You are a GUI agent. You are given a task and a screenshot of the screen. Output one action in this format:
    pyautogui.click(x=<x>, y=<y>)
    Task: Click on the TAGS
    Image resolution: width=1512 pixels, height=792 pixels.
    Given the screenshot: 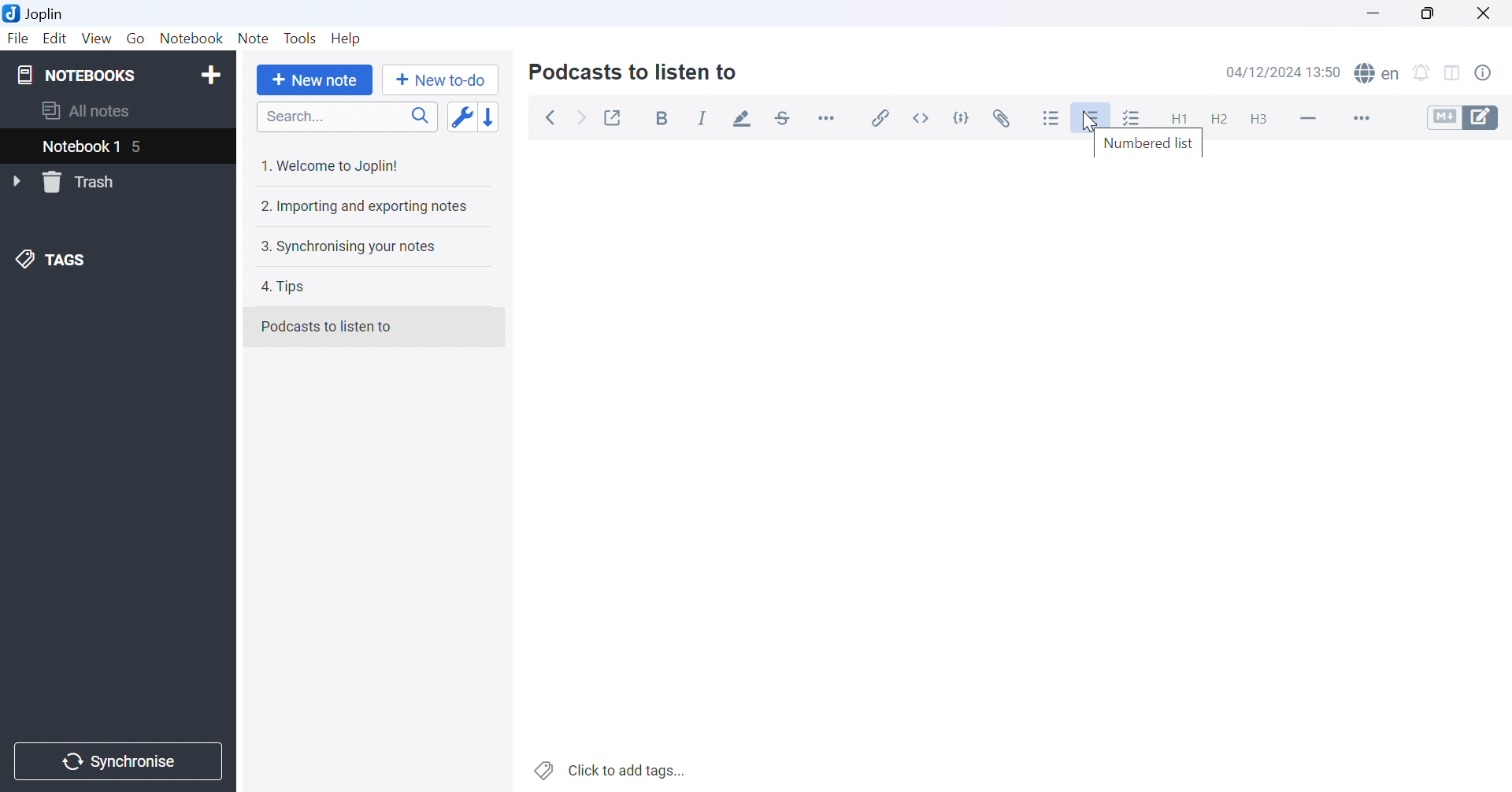 What is the action you would take?
    pyautogui.click(x=53, y=262)
    